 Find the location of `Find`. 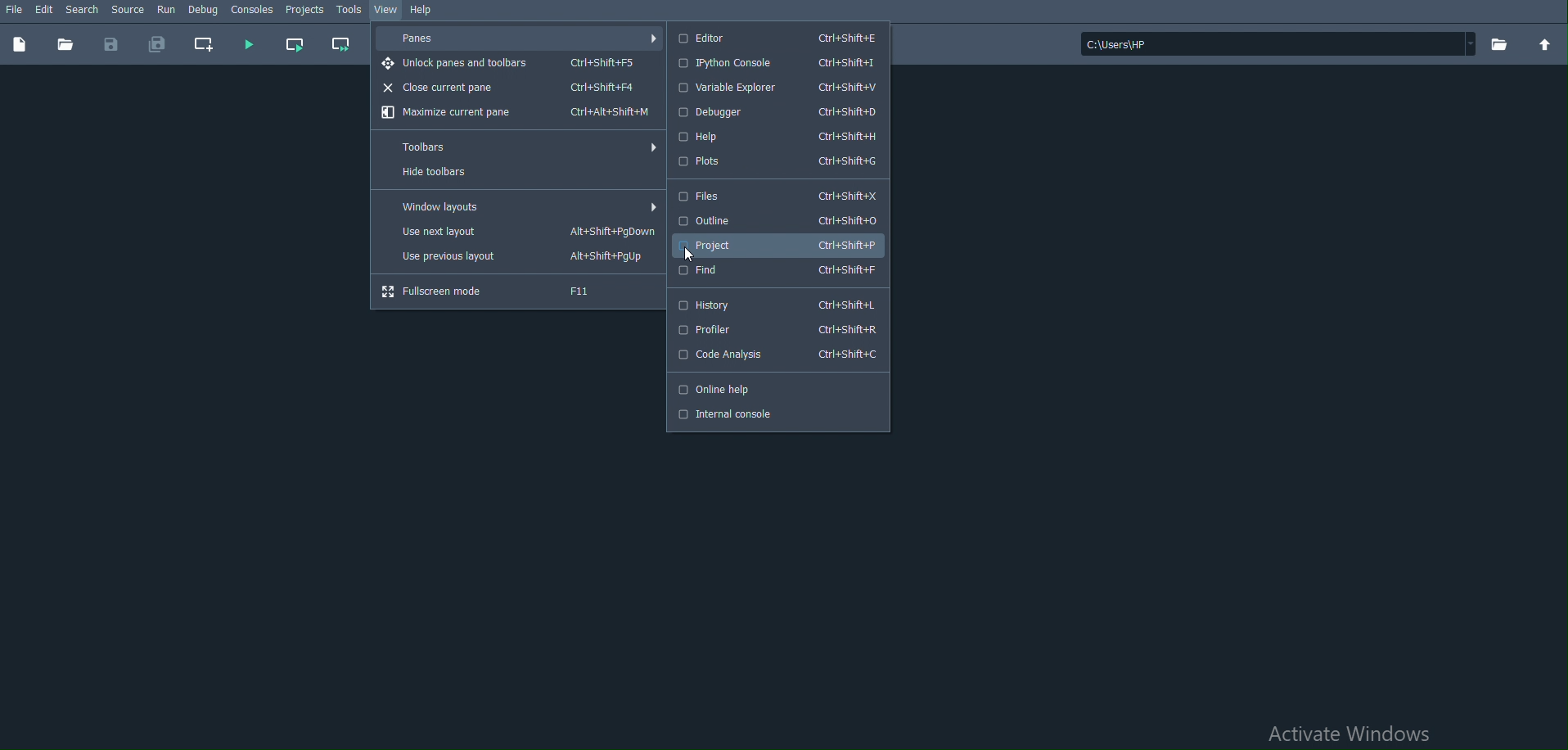

Find is located at coordinates (777, 270).